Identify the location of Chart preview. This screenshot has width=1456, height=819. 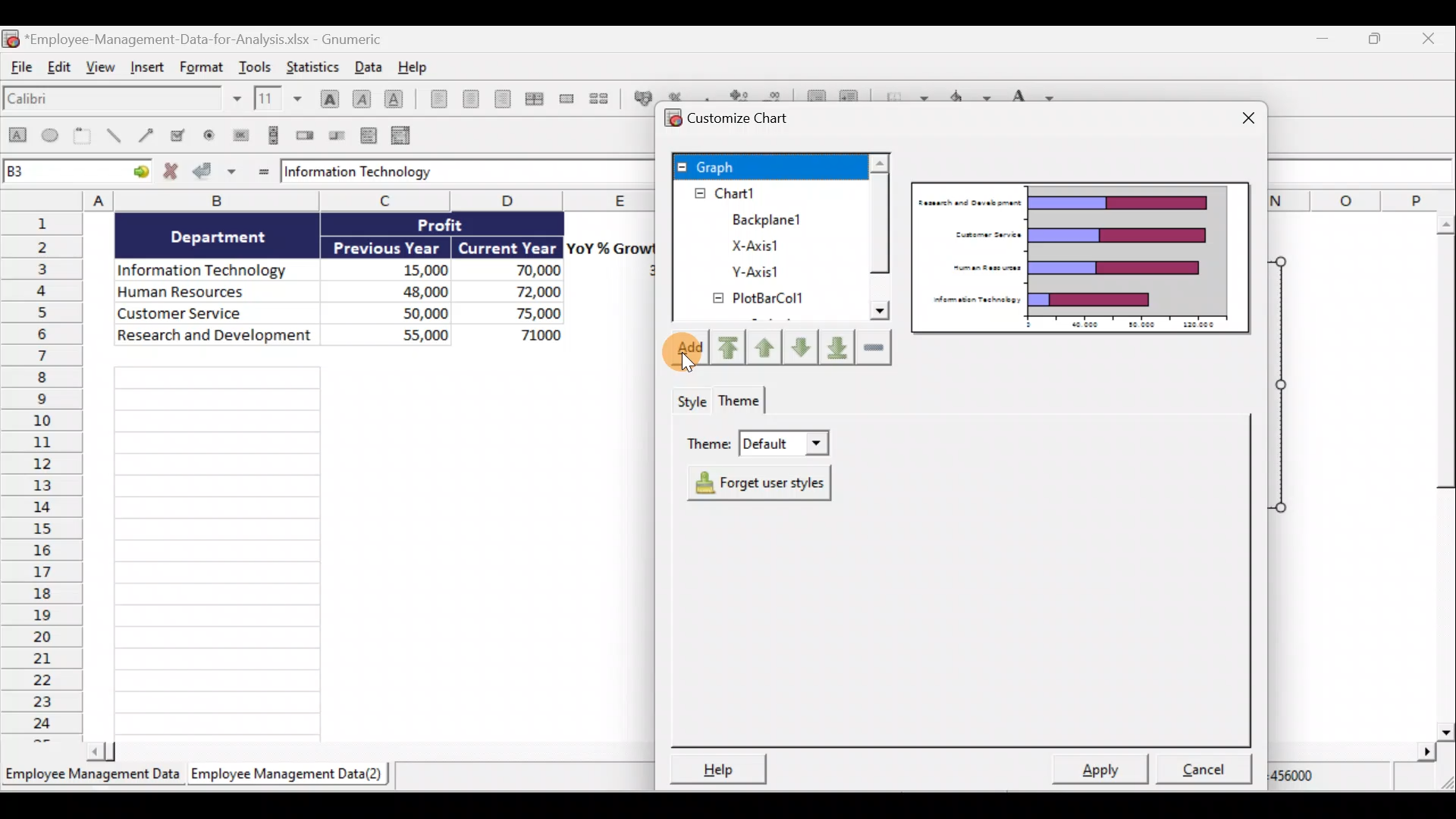
(1082, 259).